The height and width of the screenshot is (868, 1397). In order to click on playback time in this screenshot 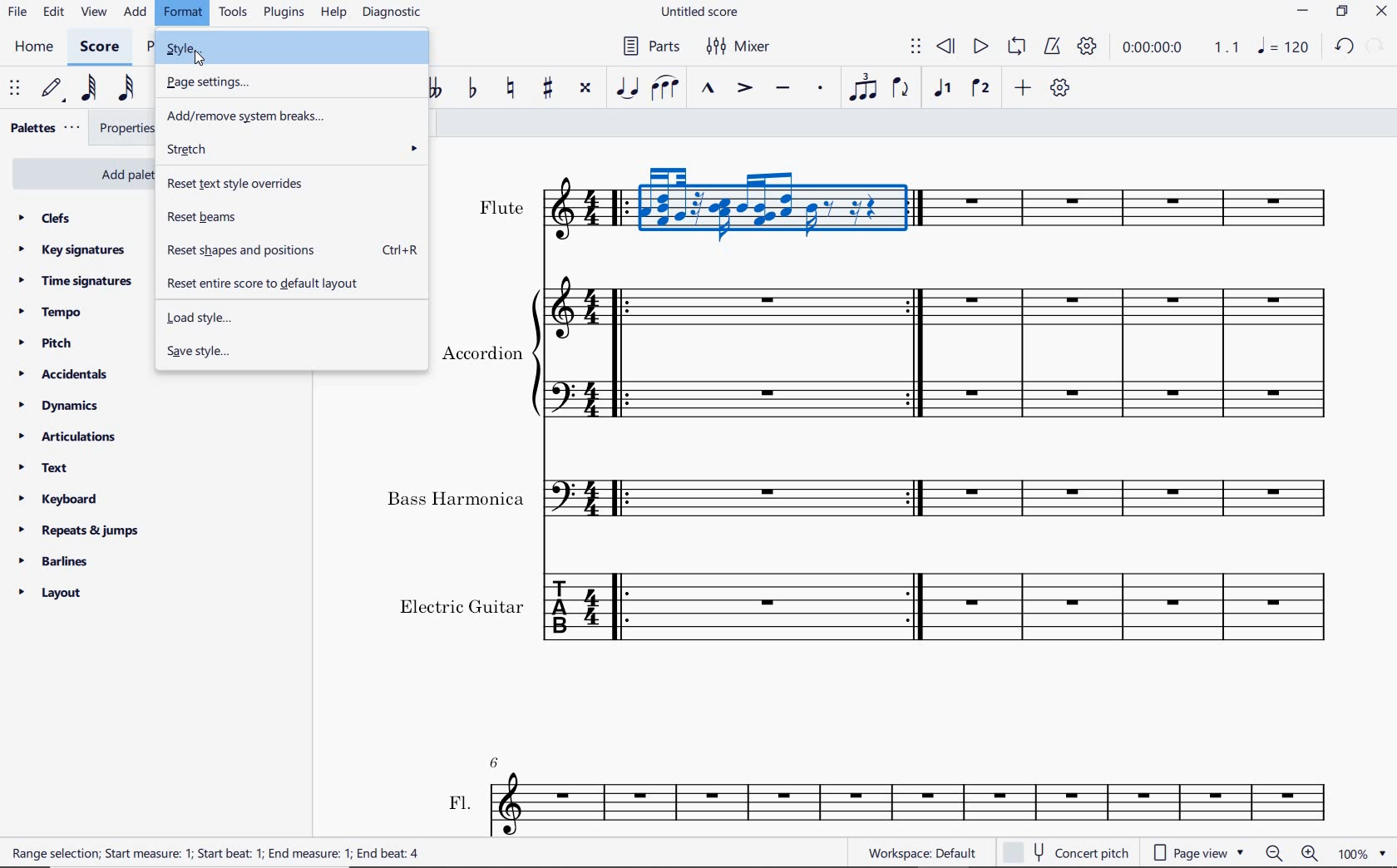, I will do `click(1152, 48)`.